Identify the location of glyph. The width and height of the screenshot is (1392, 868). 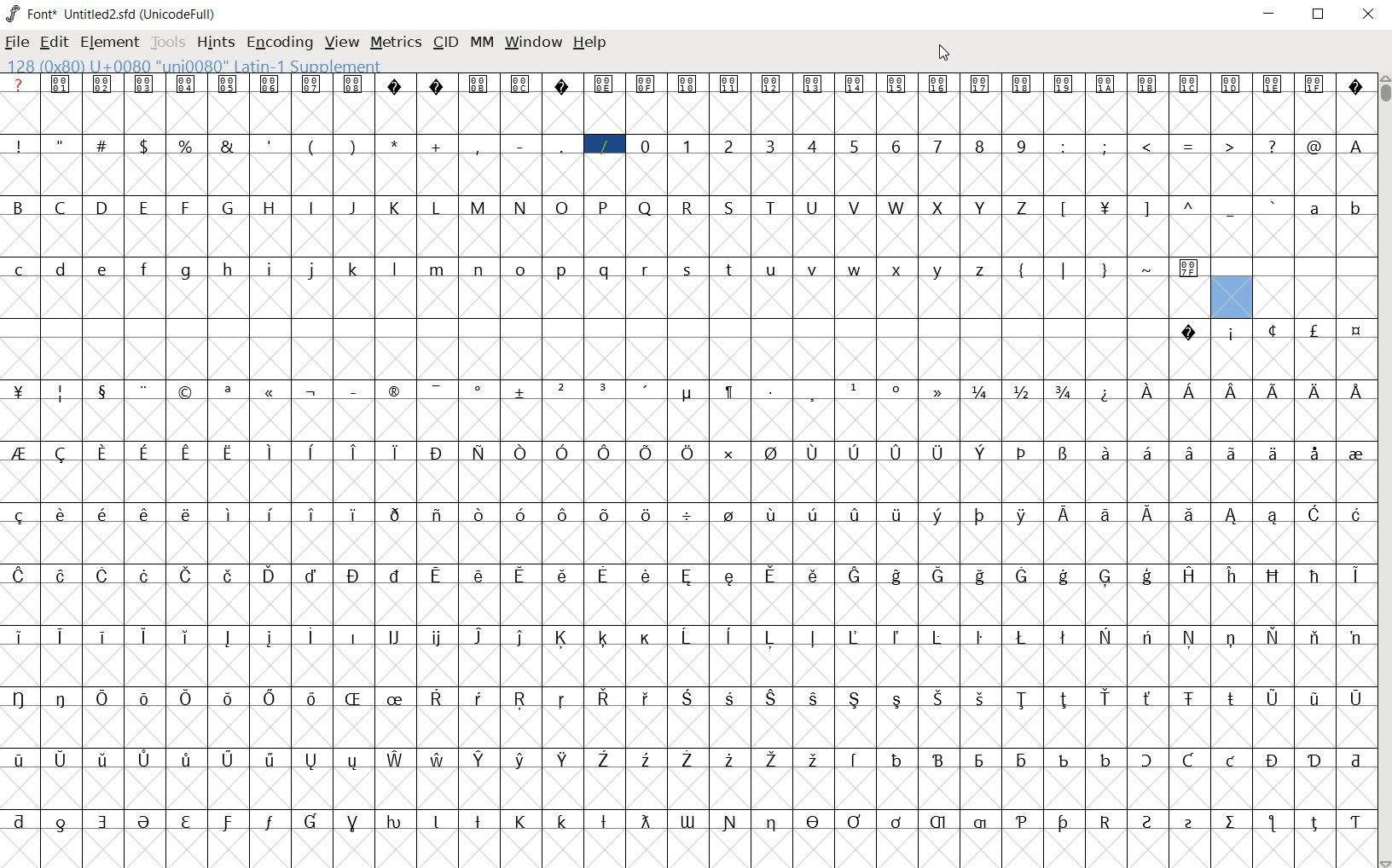
(604, 575).